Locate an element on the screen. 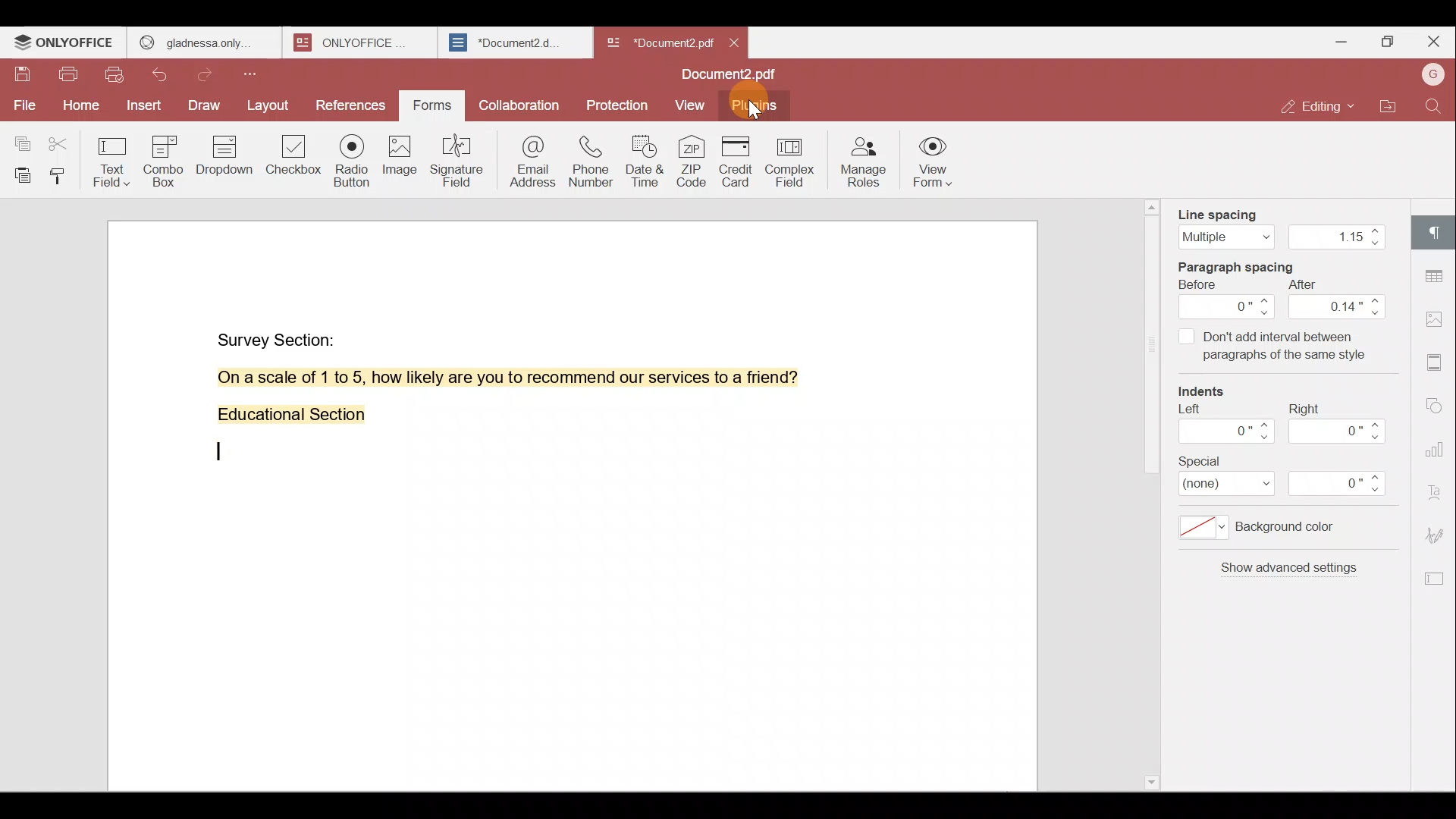 The height and width of the screenshot is (819, 1456). Signature settings is located at coordinates (1439, 534).